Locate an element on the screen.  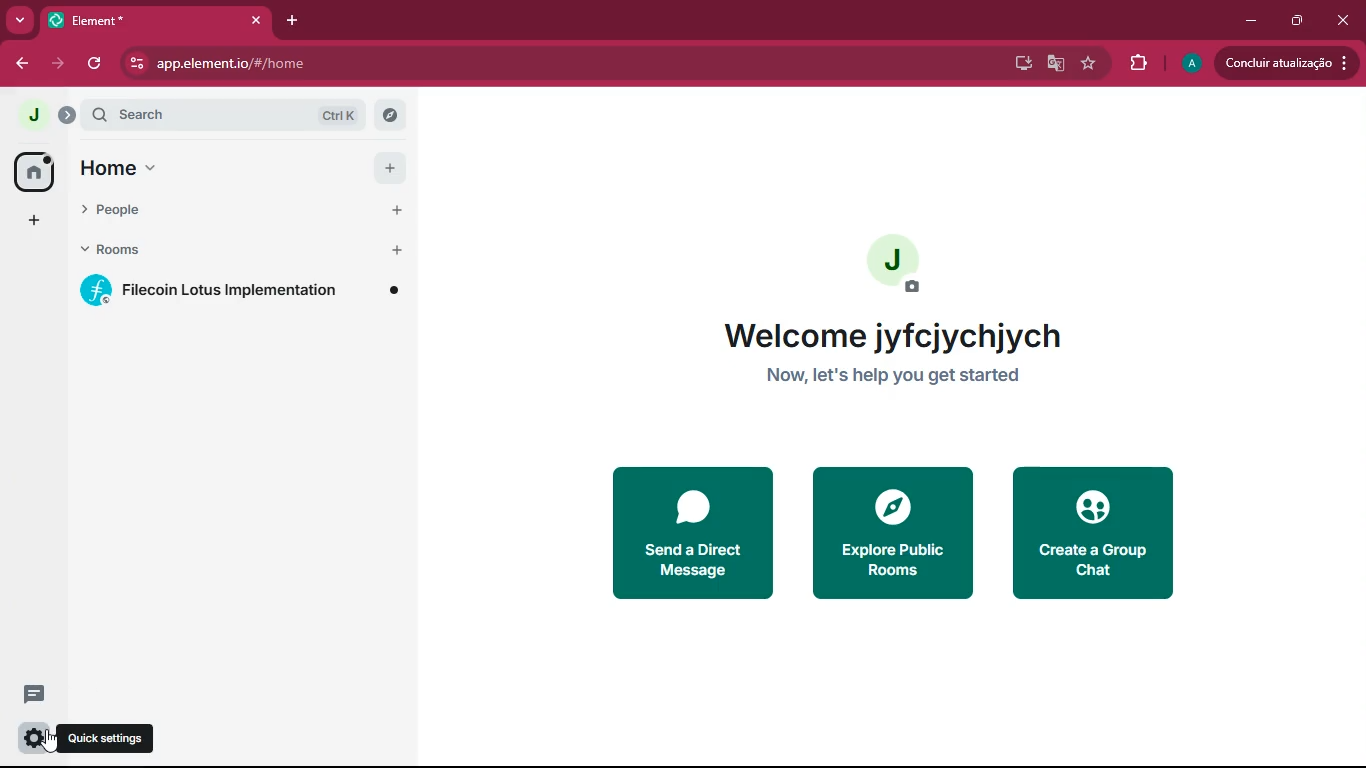
close is located at coordinates (1344, 19).